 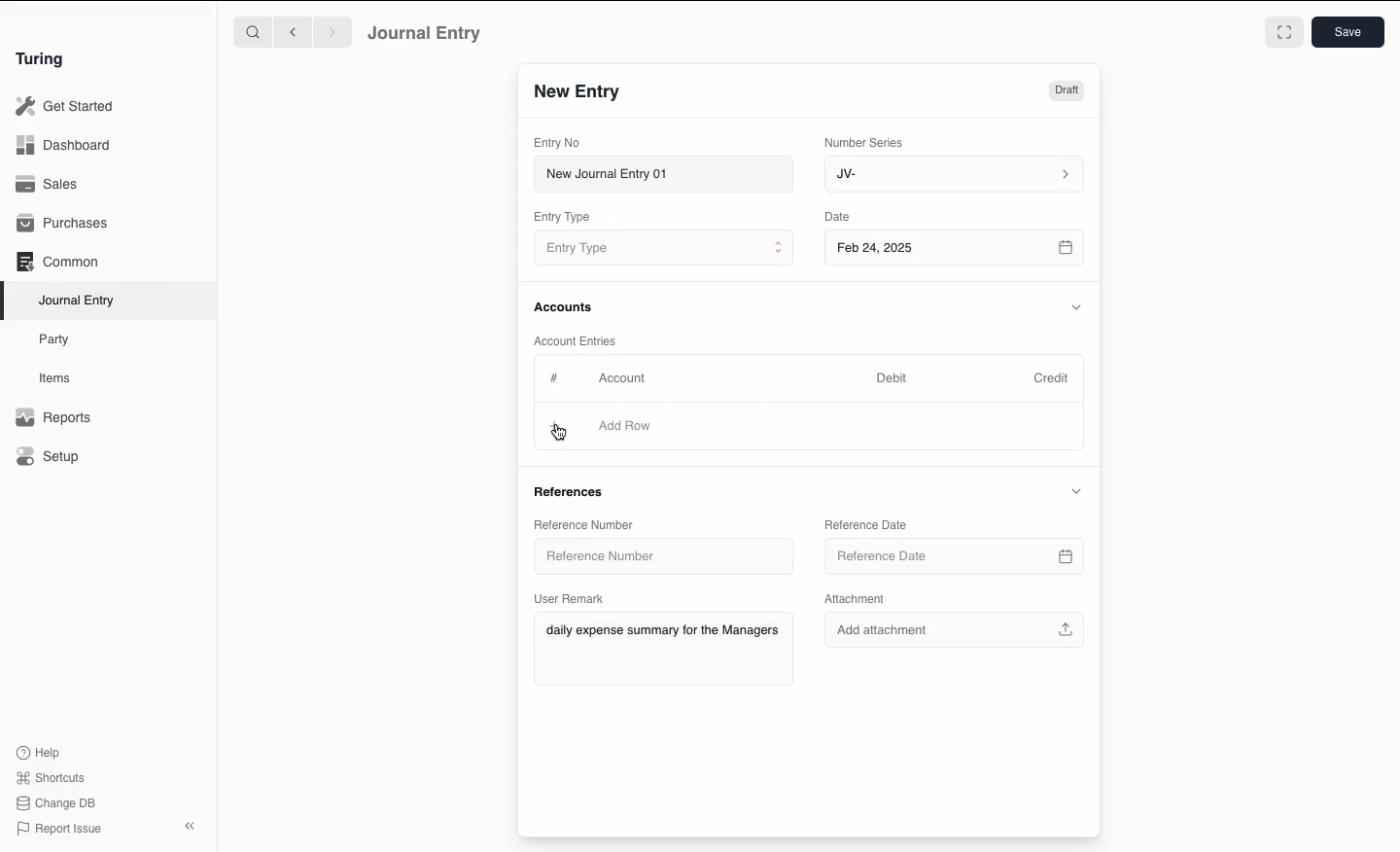 I want to click on Credit, so click(x=1053, y=378).